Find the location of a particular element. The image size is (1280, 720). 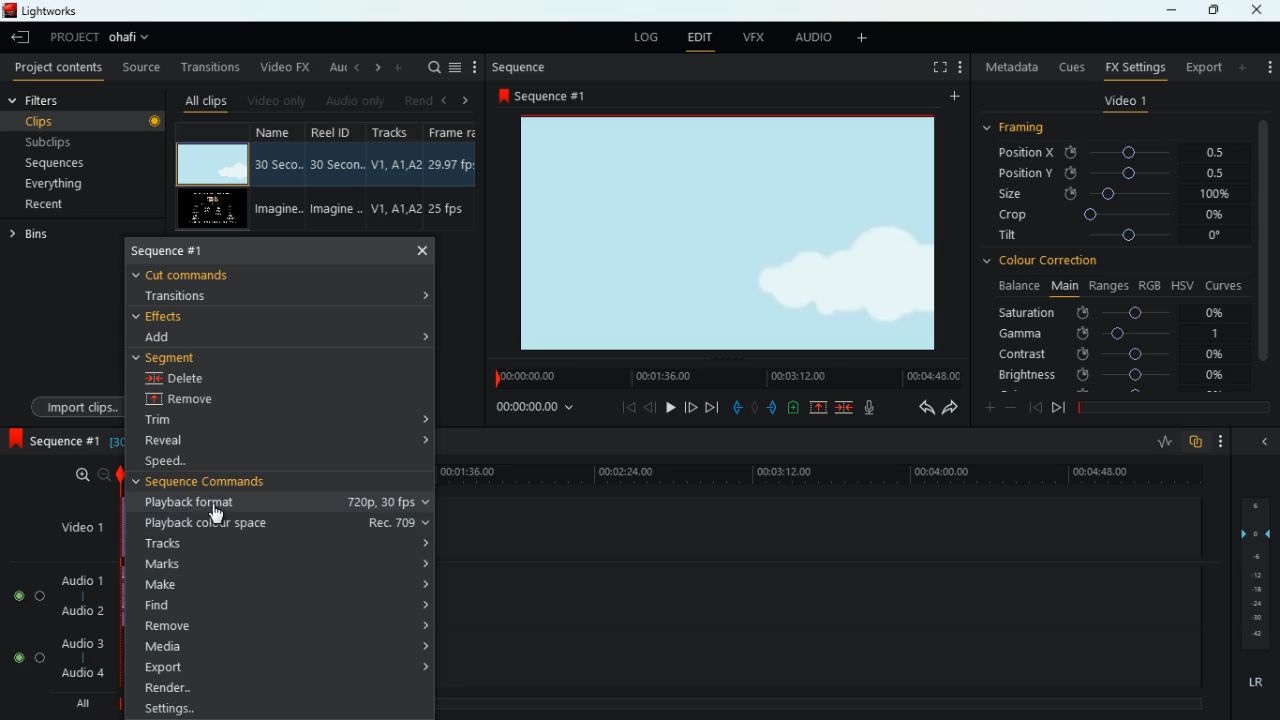

minimize is located at coordinates (1170, 10).